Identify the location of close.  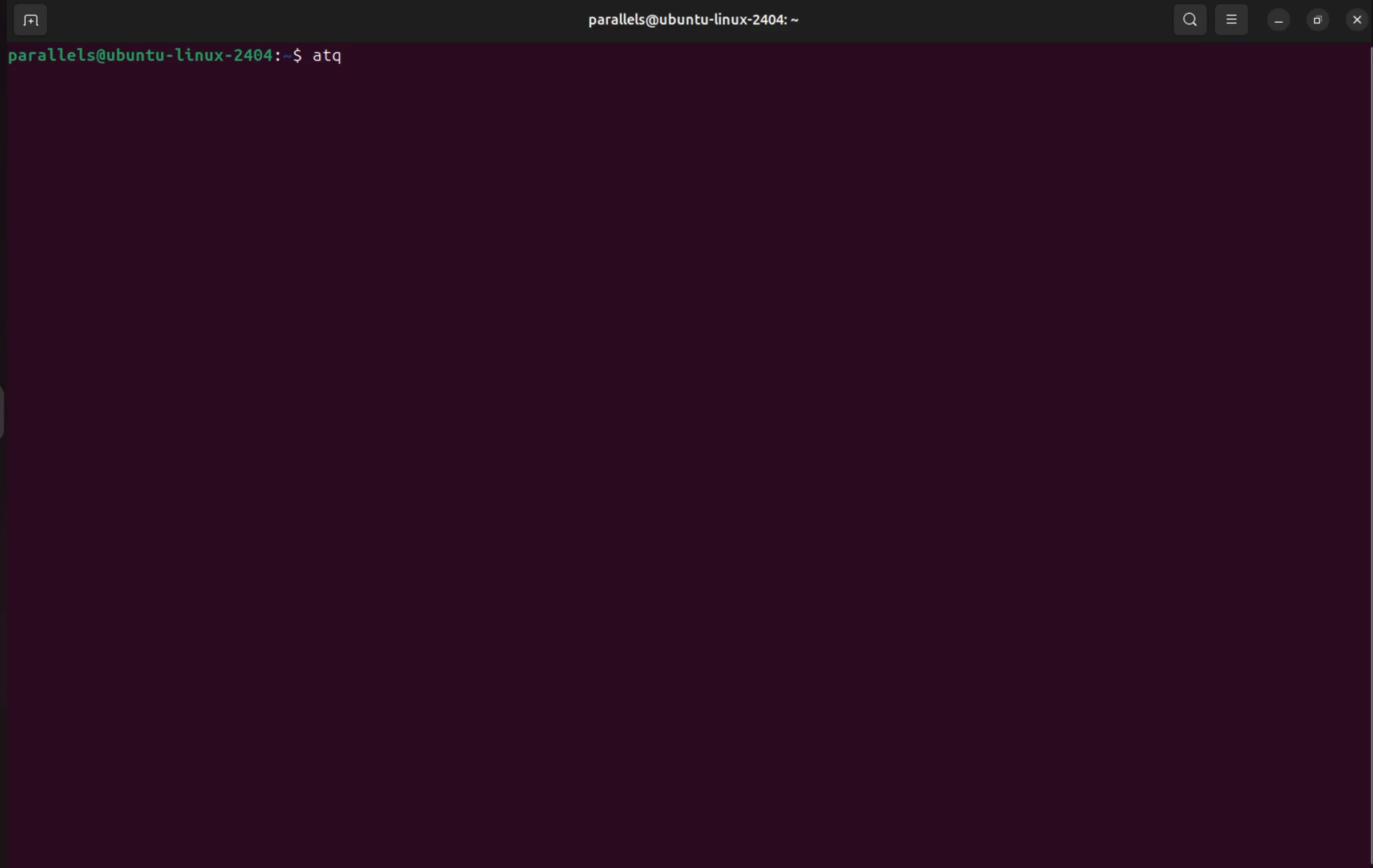
(1359, 20).